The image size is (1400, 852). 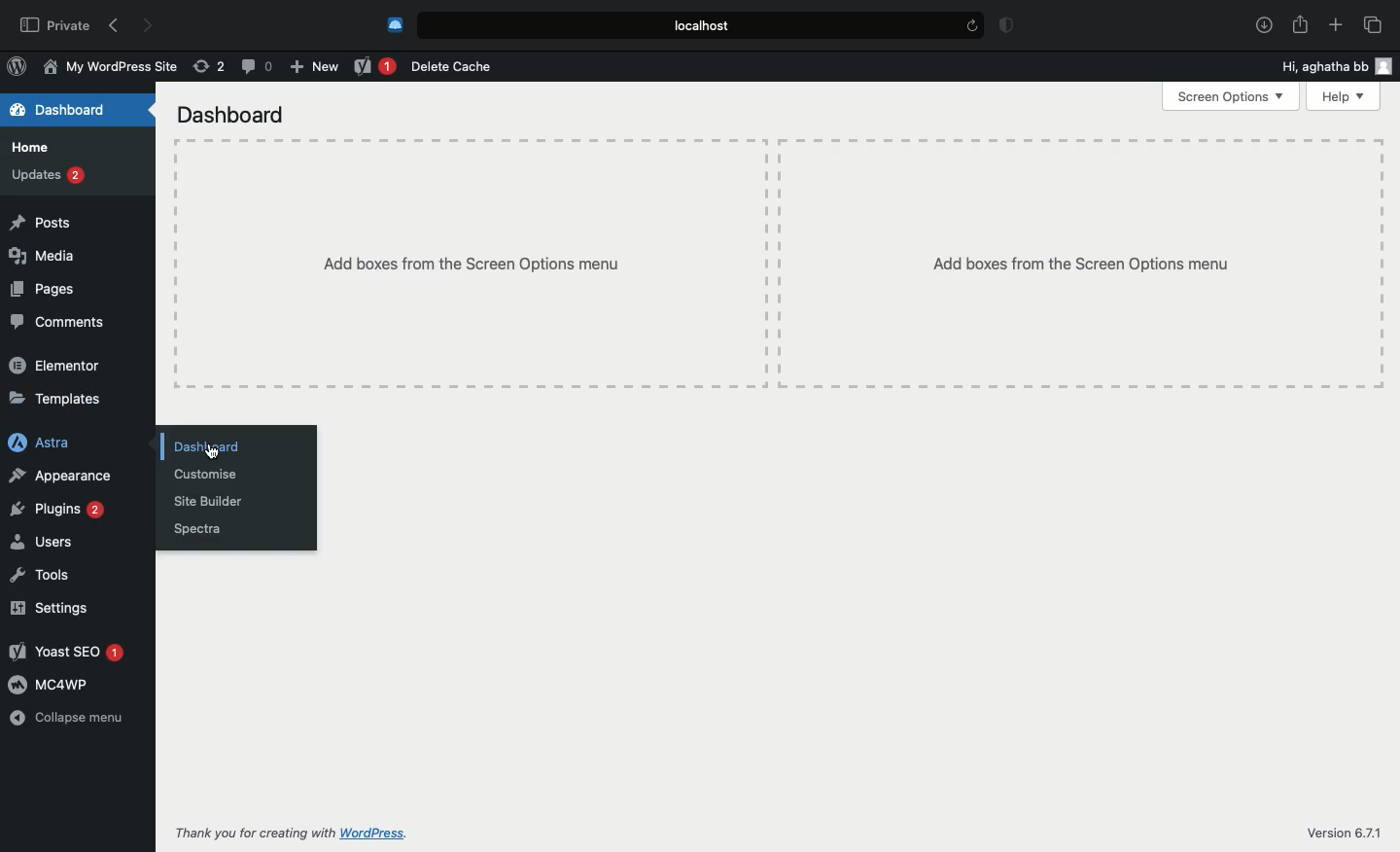 What do you see at coordinates (208, 502) in the screenshot?
I see `Site builder` at bounding box center [208, 502].